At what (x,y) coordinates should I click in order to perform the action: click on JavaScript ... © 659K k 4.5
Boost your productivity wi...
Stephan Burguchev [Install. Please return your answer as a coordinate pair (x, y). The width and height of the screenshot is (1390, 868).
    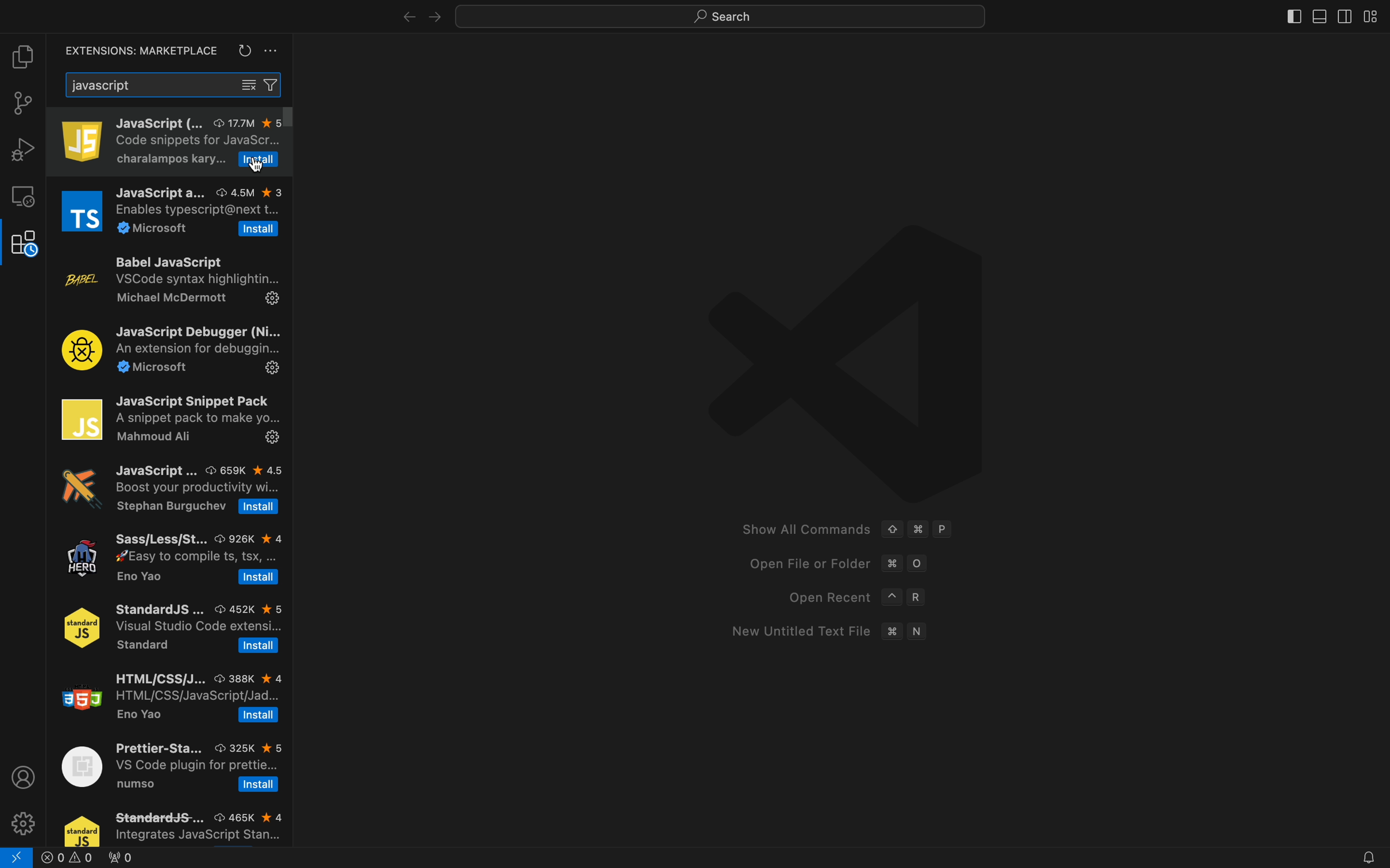
    Looking at the image, I should click on (167, 493).